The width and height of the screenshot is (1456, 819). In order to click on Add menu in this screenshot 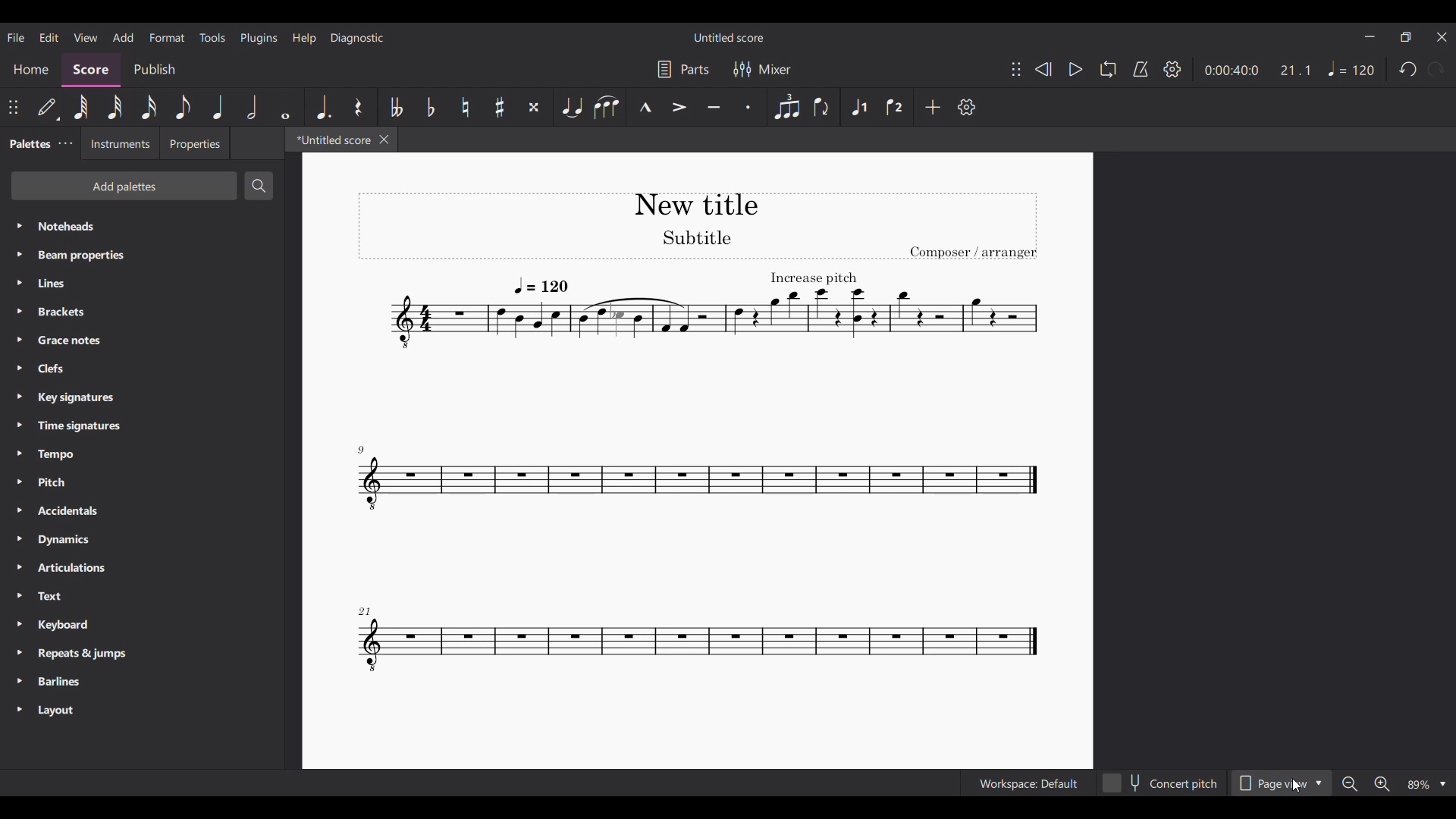, I will do `click(122, 36)`.